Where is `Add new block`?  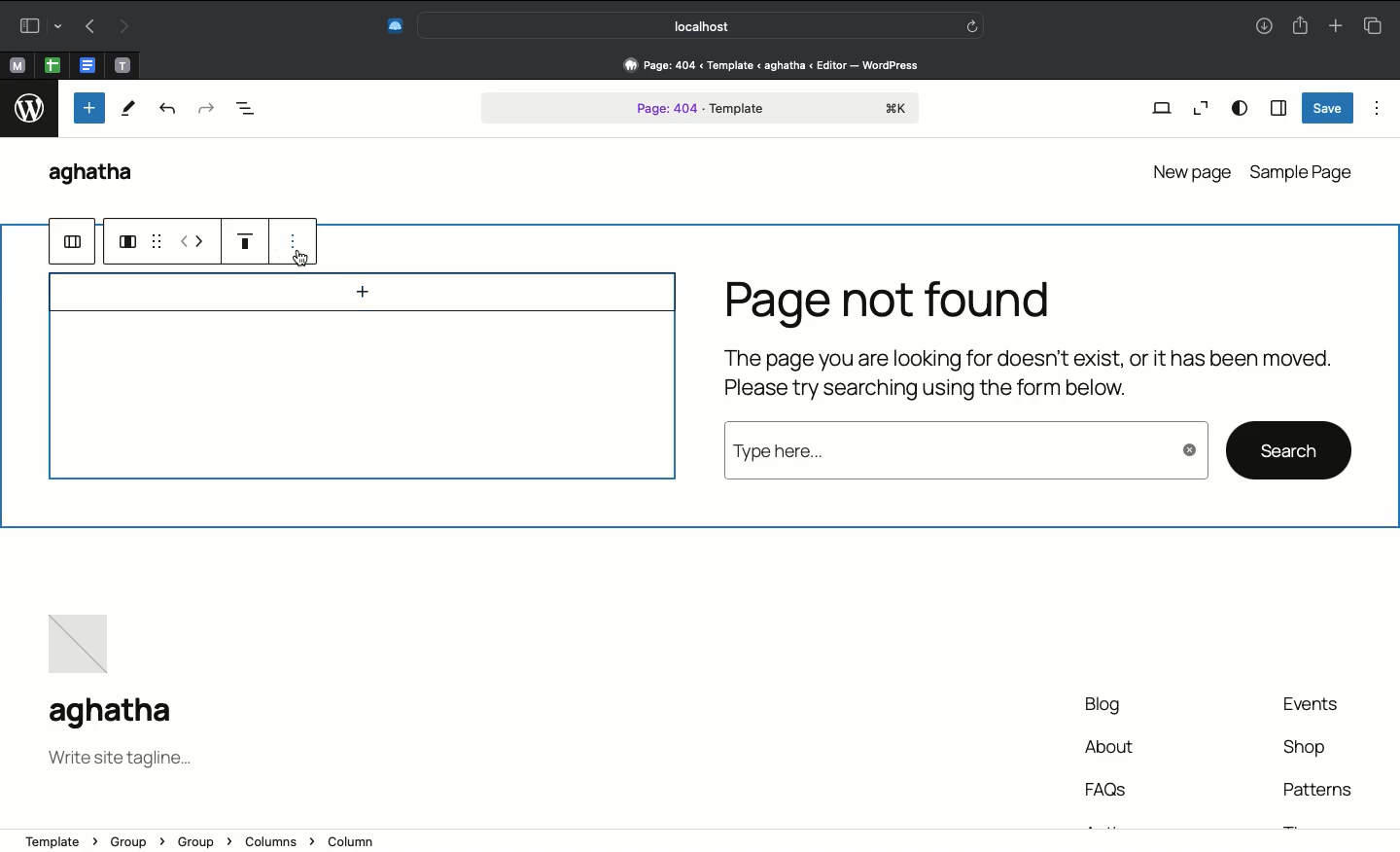 Add new block is located at coordinates (87, 108).